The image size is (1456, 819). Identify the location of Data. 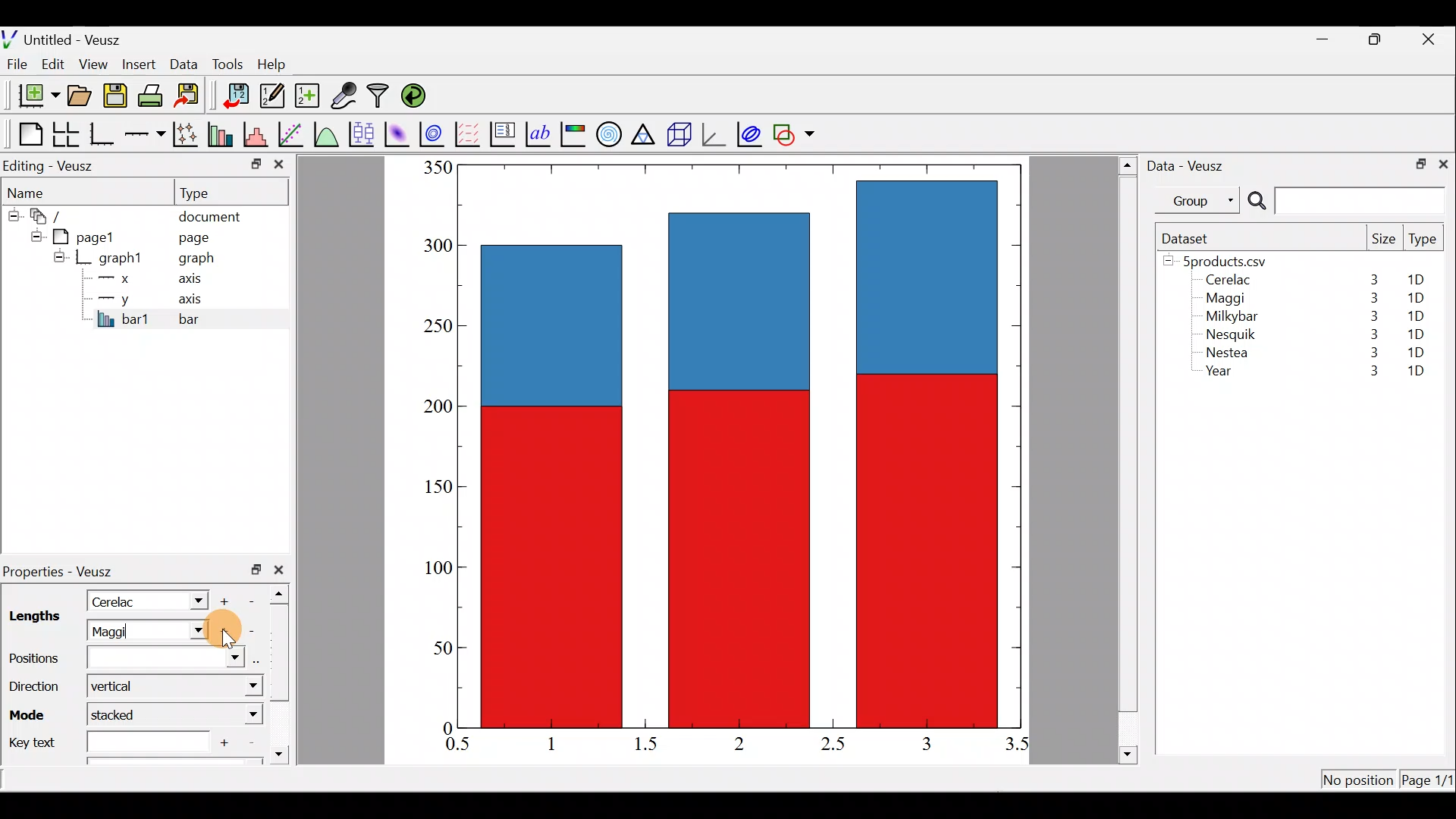
(184, 63).